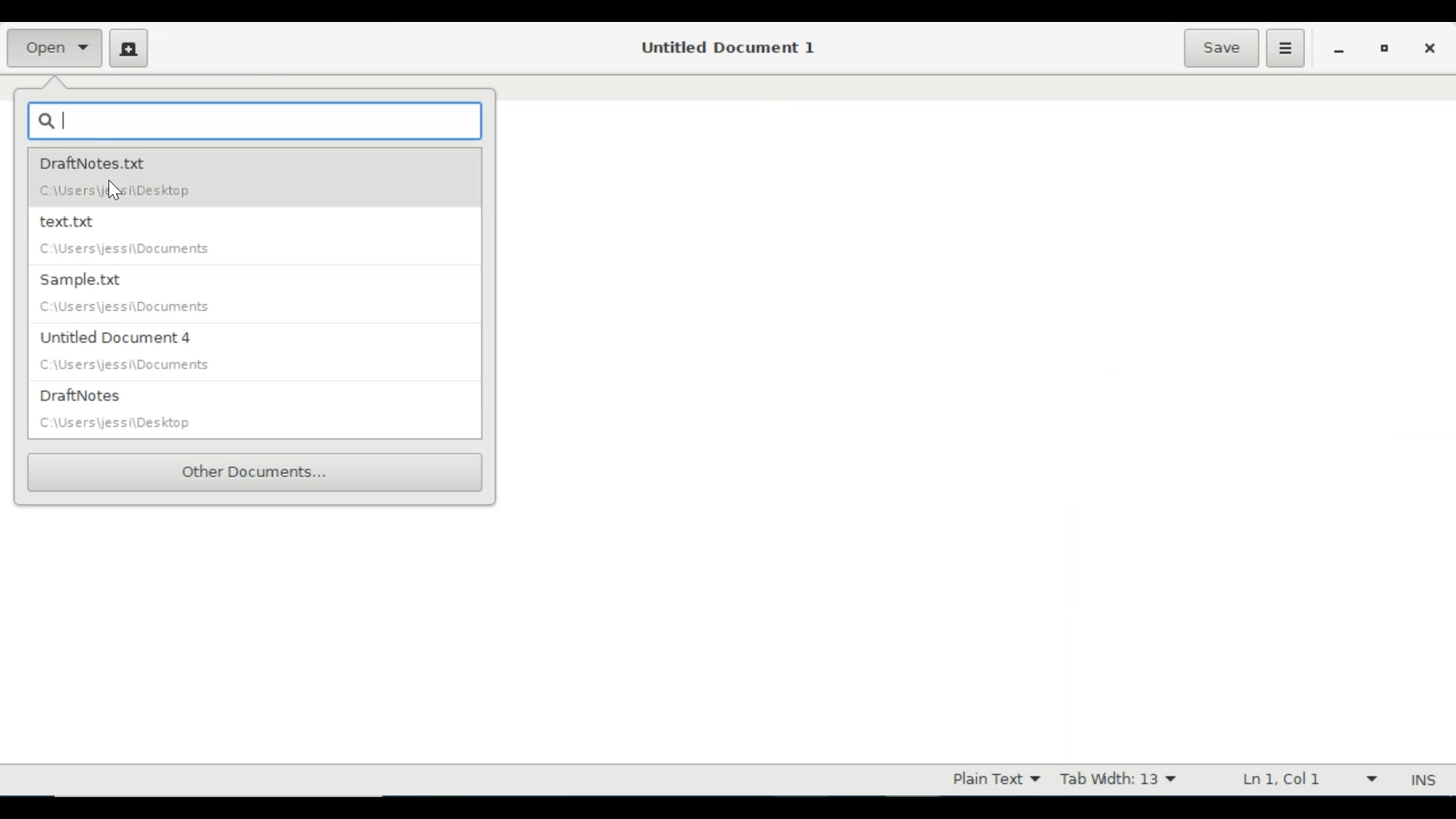 Image resolution: width=1456 pixels, height=819 pixels. What do you see at coordinates (1385, 47) in the screenshot?
I see `Restore` at bounding box center [1385, 47].